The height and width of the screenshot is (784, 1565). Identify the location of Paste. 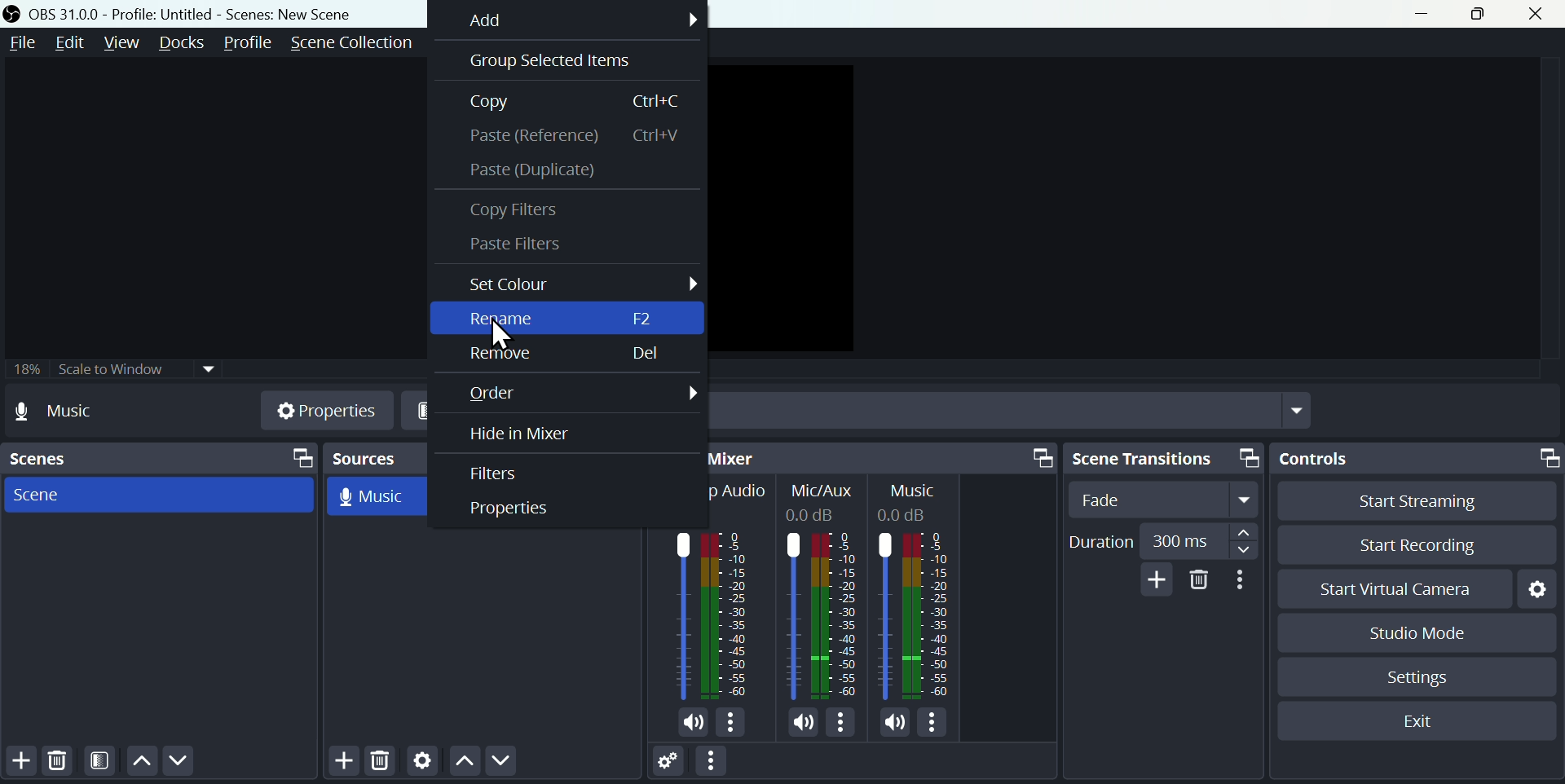
(526, 174).